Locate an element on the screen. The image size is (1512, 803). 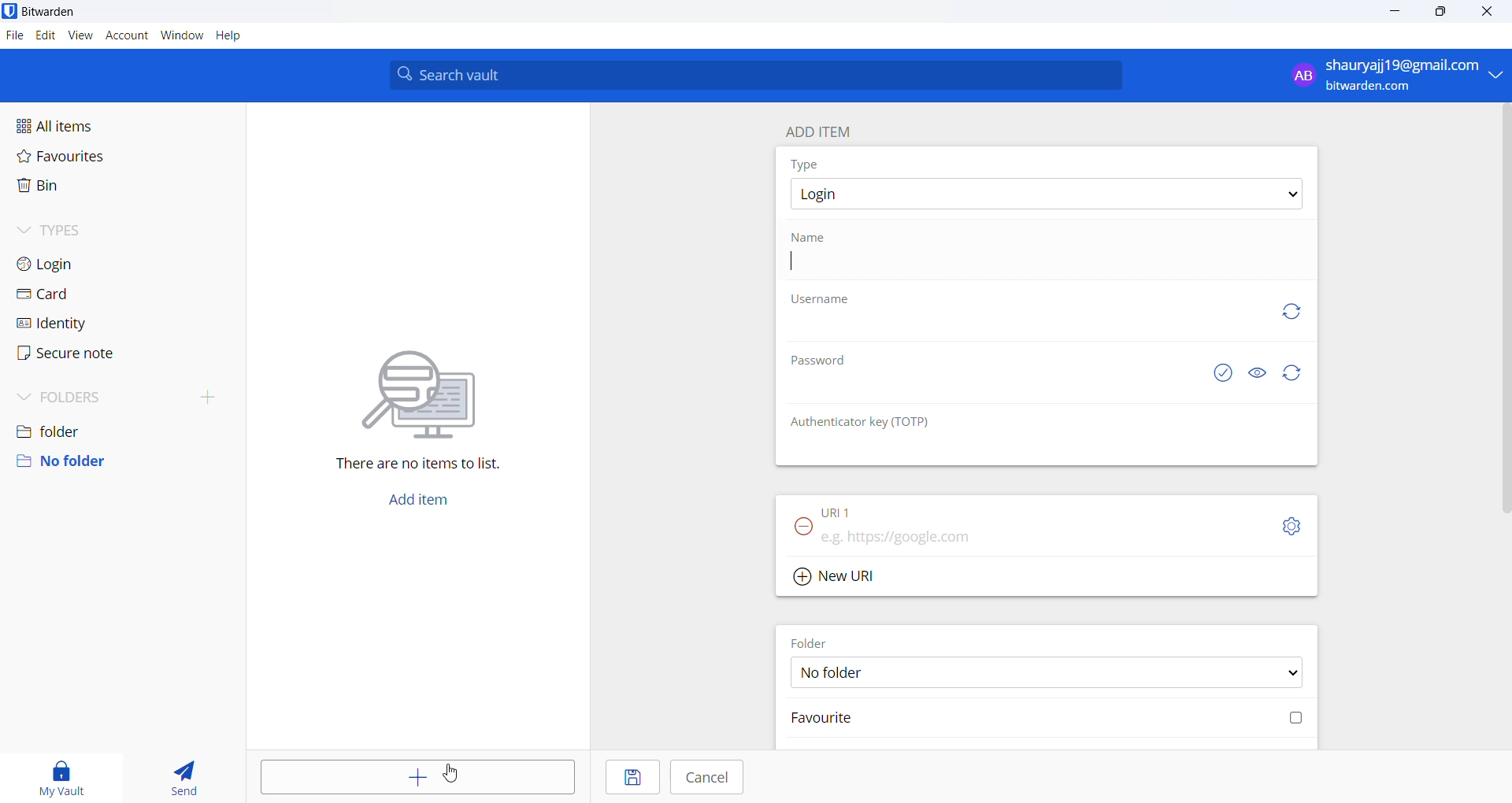
 is located at coordinates (447, 775).